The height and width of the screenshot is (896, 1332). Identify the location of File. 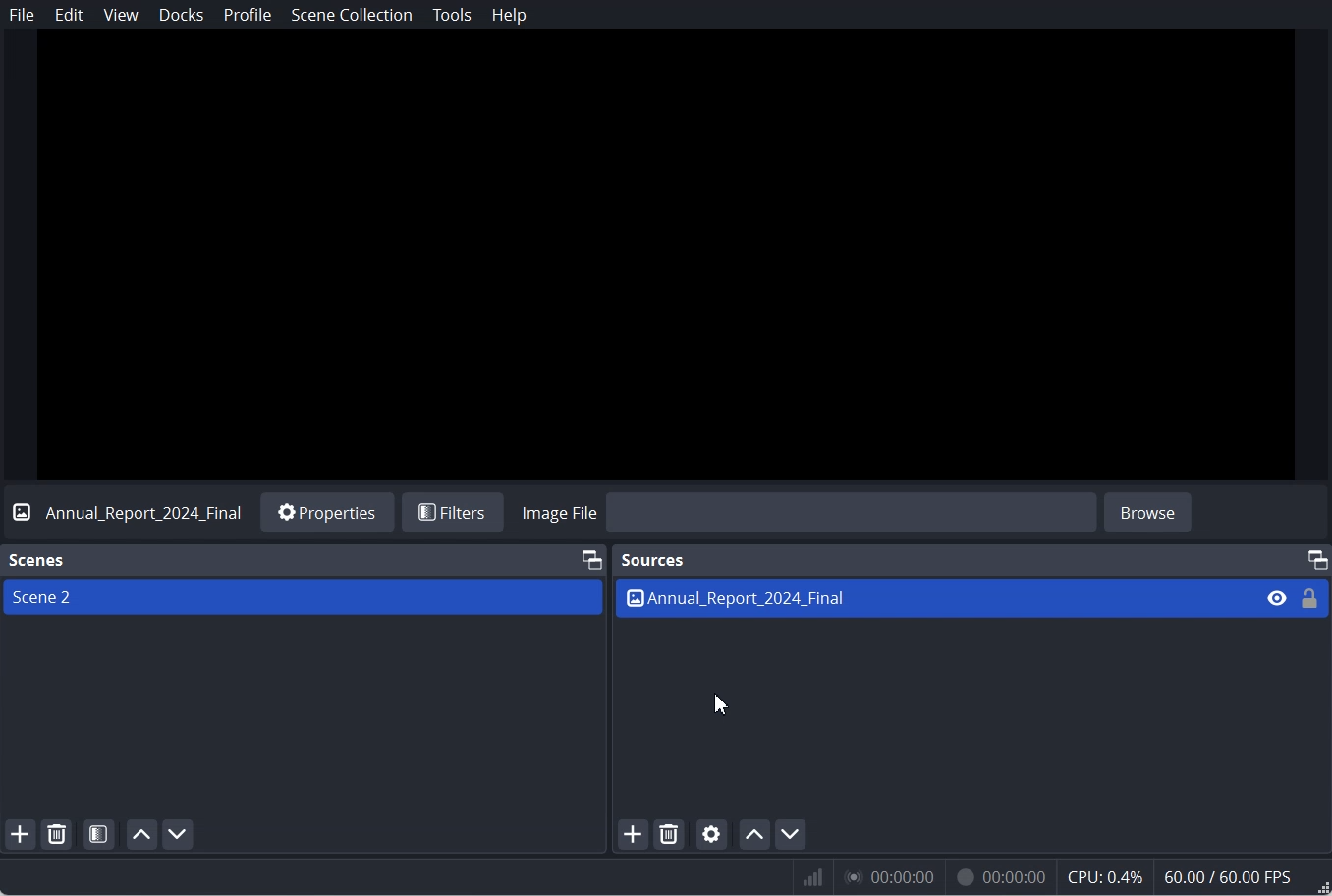
(22, 15).